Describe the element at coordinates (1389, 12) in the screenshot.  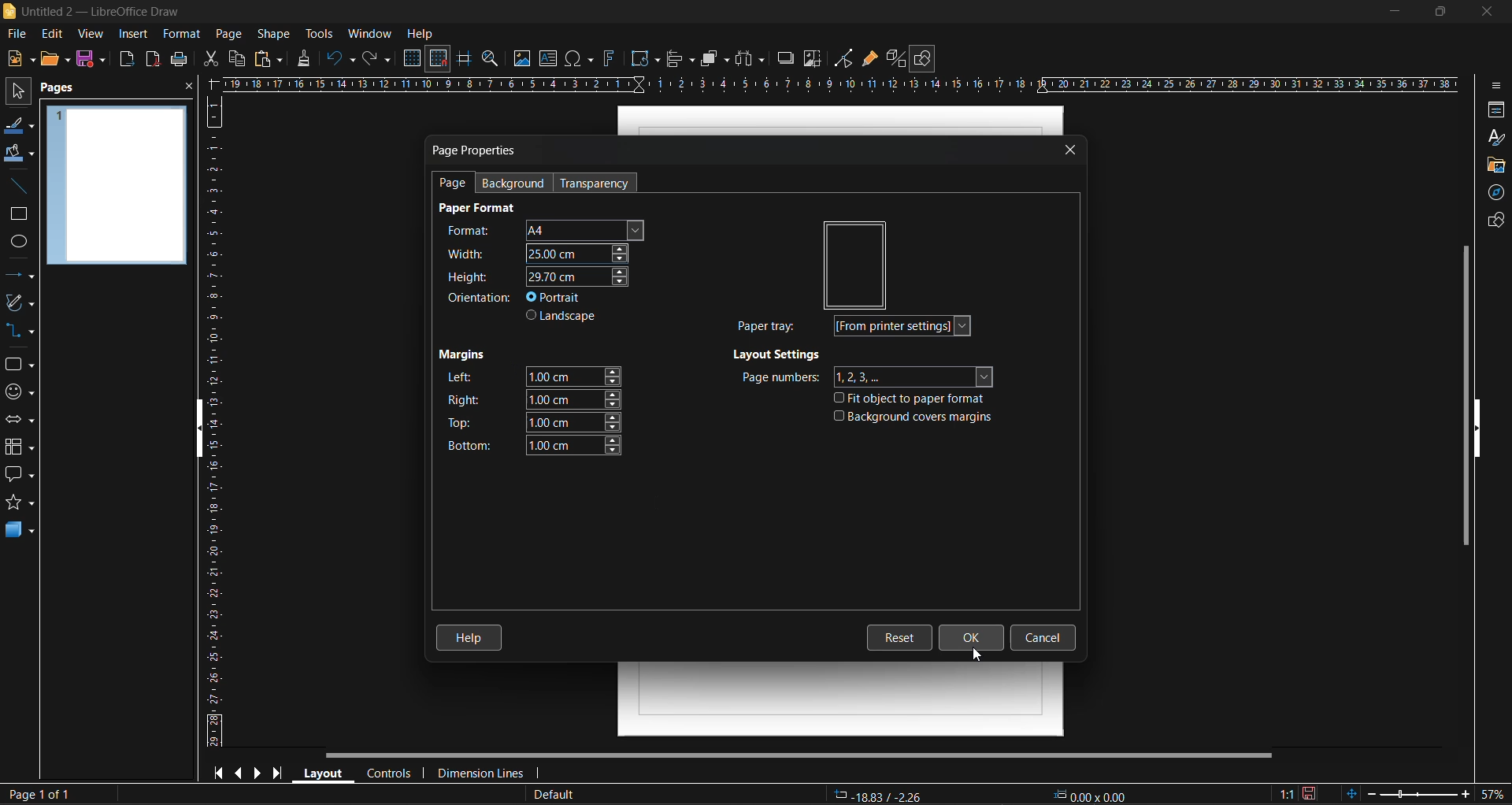
I see `minimize` at that location.